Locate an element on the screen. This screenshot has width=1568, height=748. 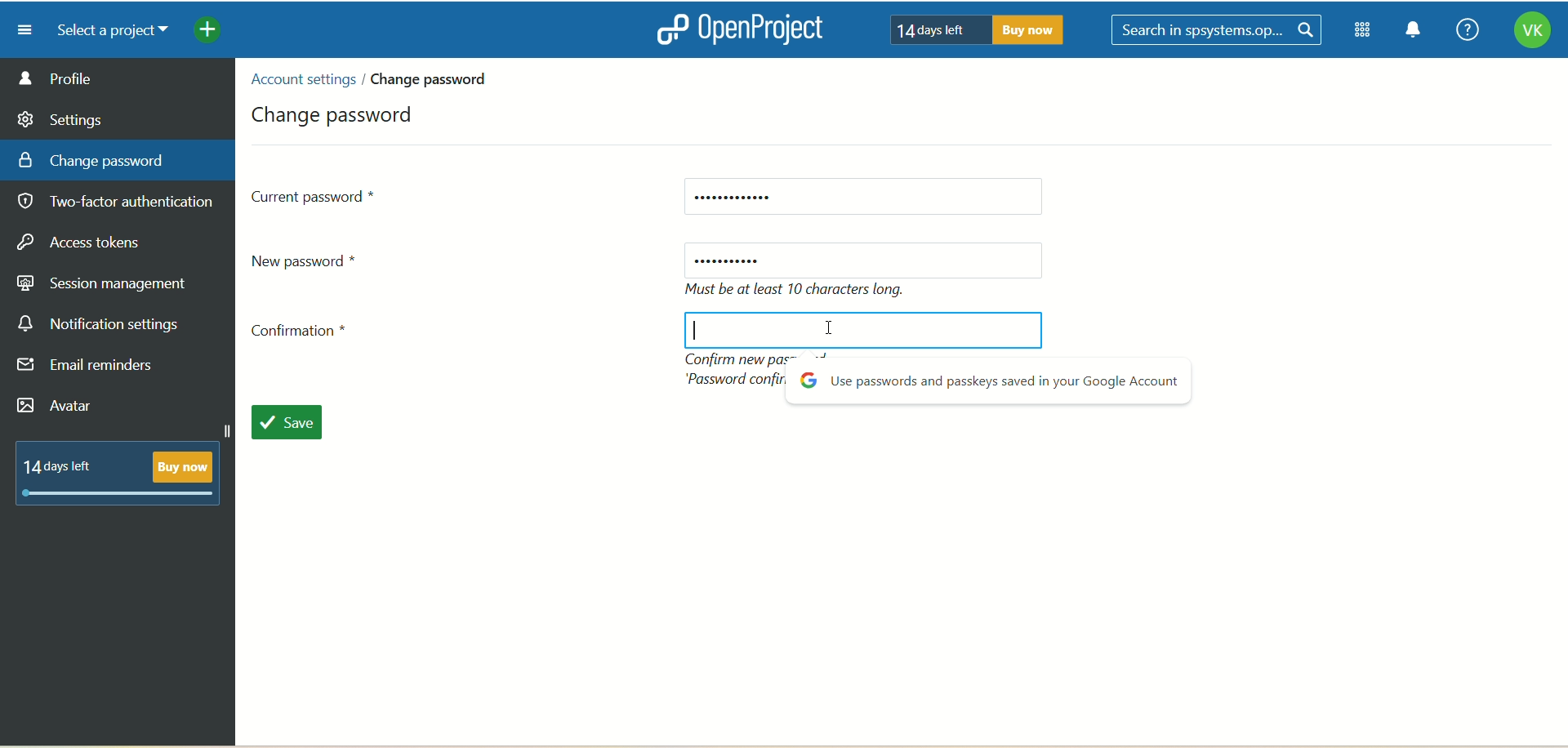
cursor is located at coordinates (835, 332).